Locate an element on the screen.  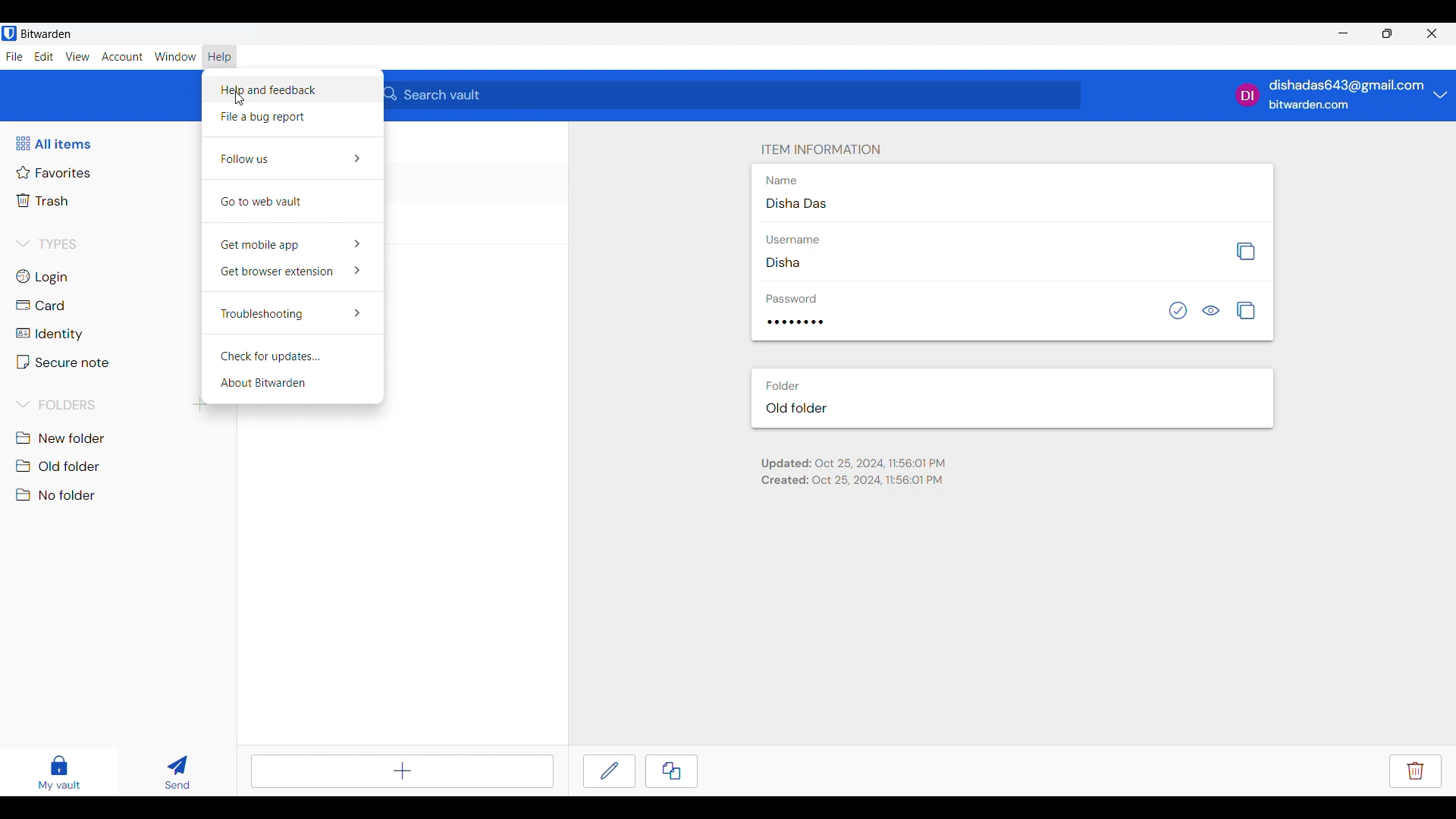
Created: Oct 25, 2024, 11:56:01 PM is located at coordinates (852, 480).